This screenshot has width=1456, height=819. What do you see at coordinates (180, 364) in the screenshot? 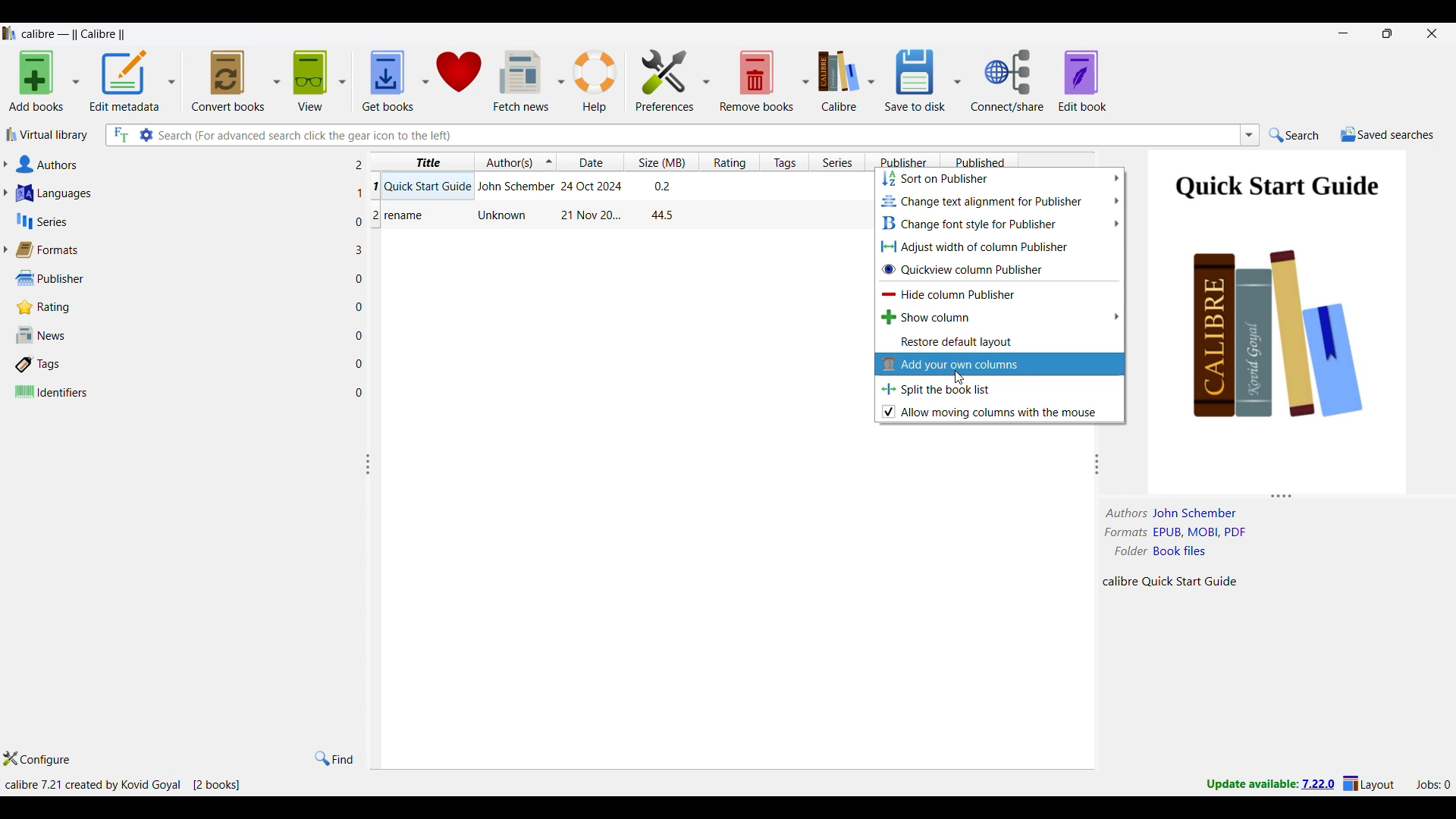
I see `Tags` at bounding box center [180, 364].